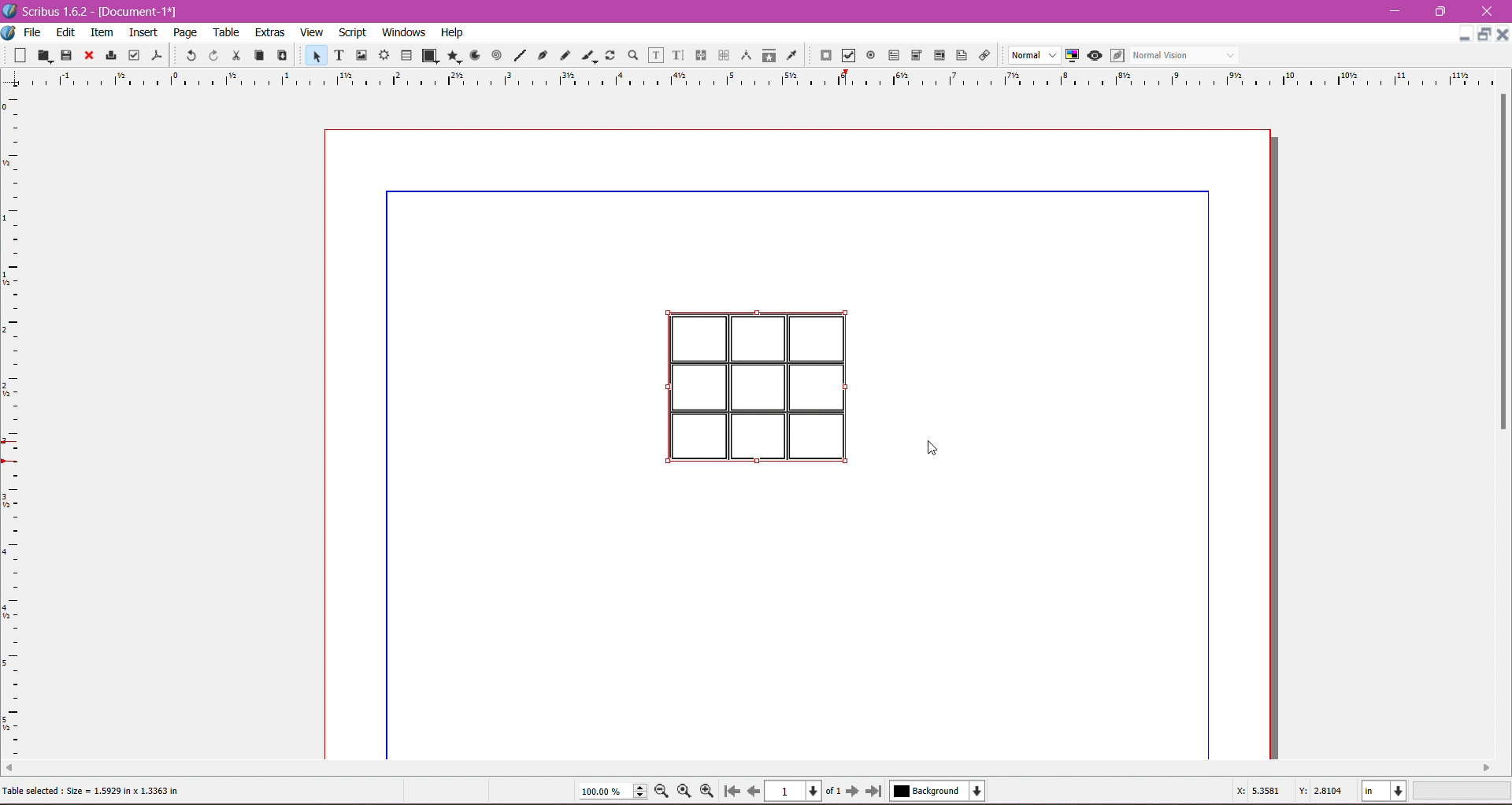 This screenshot has height=805, width=1512. Describe the element at coordinates (32, 32) in the screenshot. I see `File` at that location.